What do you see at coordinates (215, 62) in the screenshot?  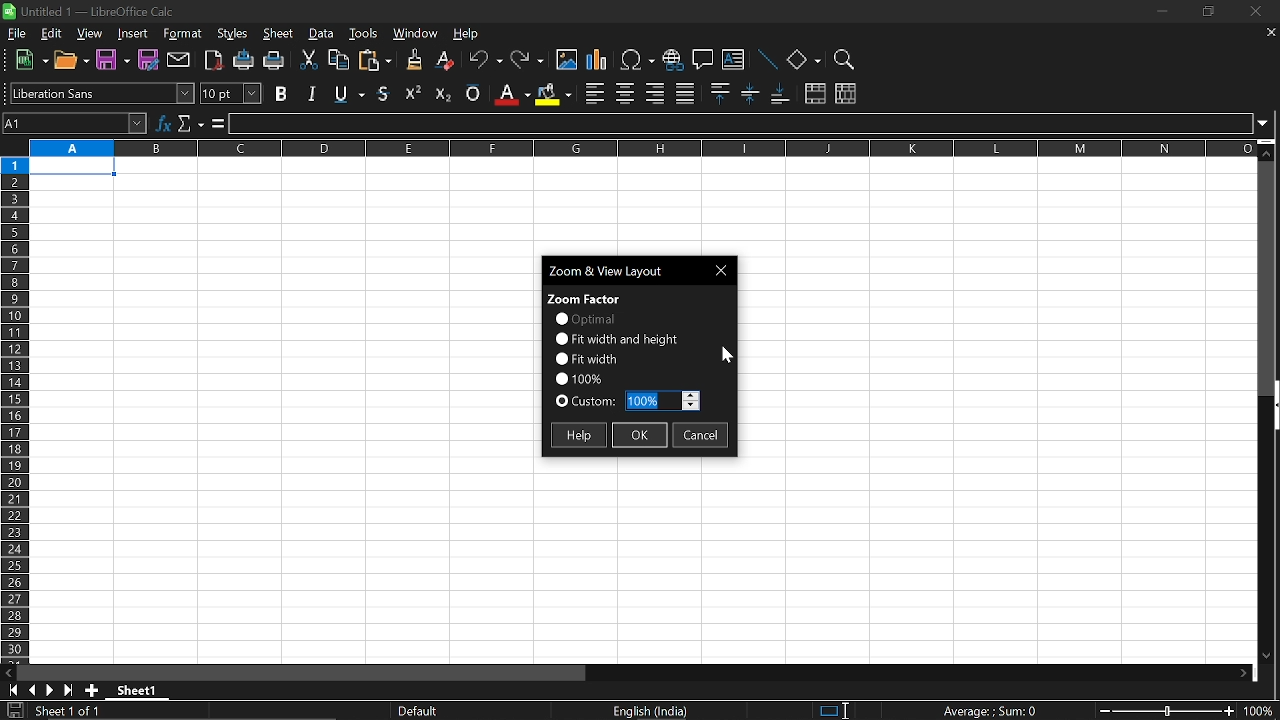 I see `export as pdf` at bounding box center [215, 62].